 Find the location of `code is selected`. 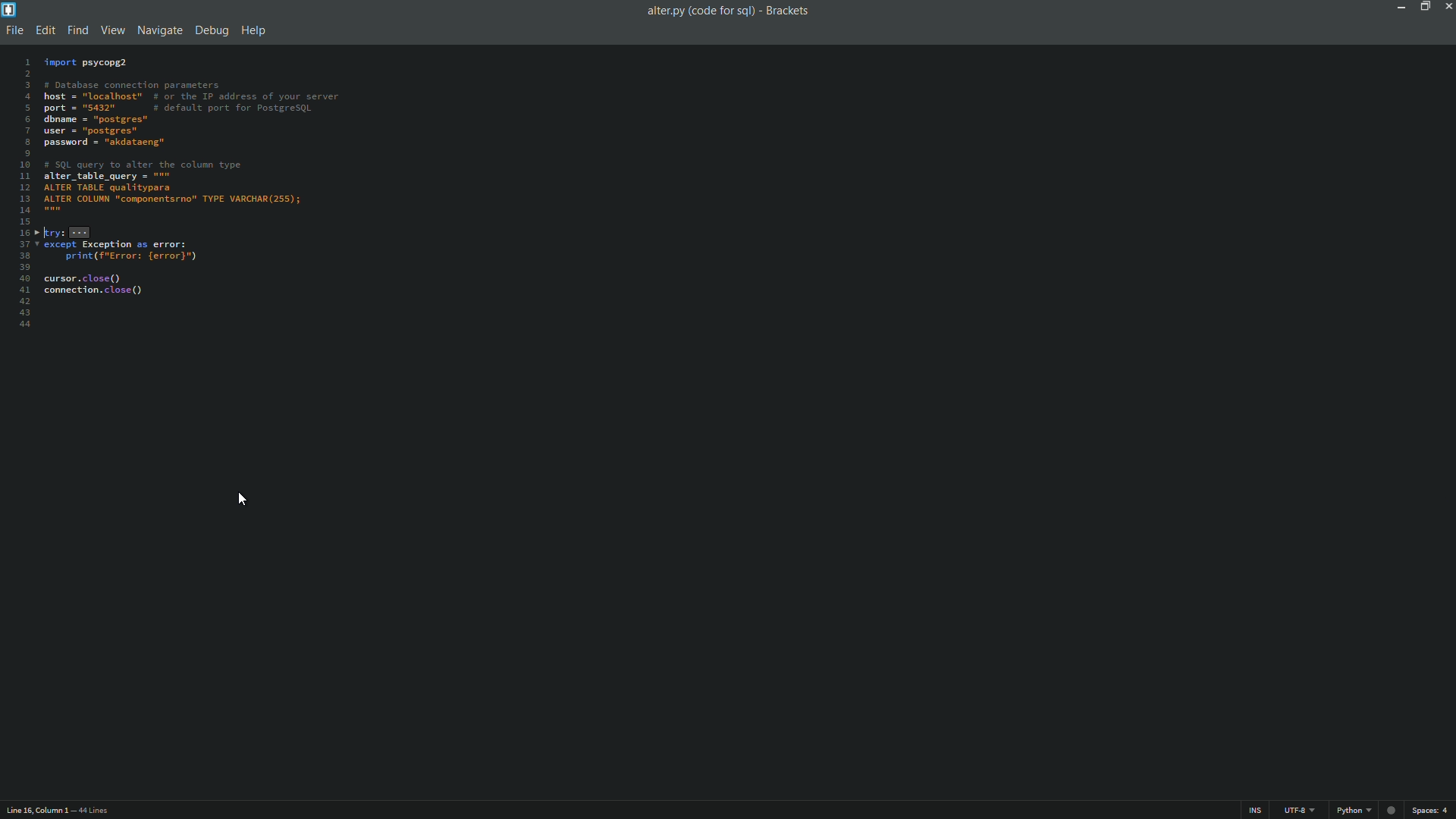

code is selected is located at coordinates (190, 181).